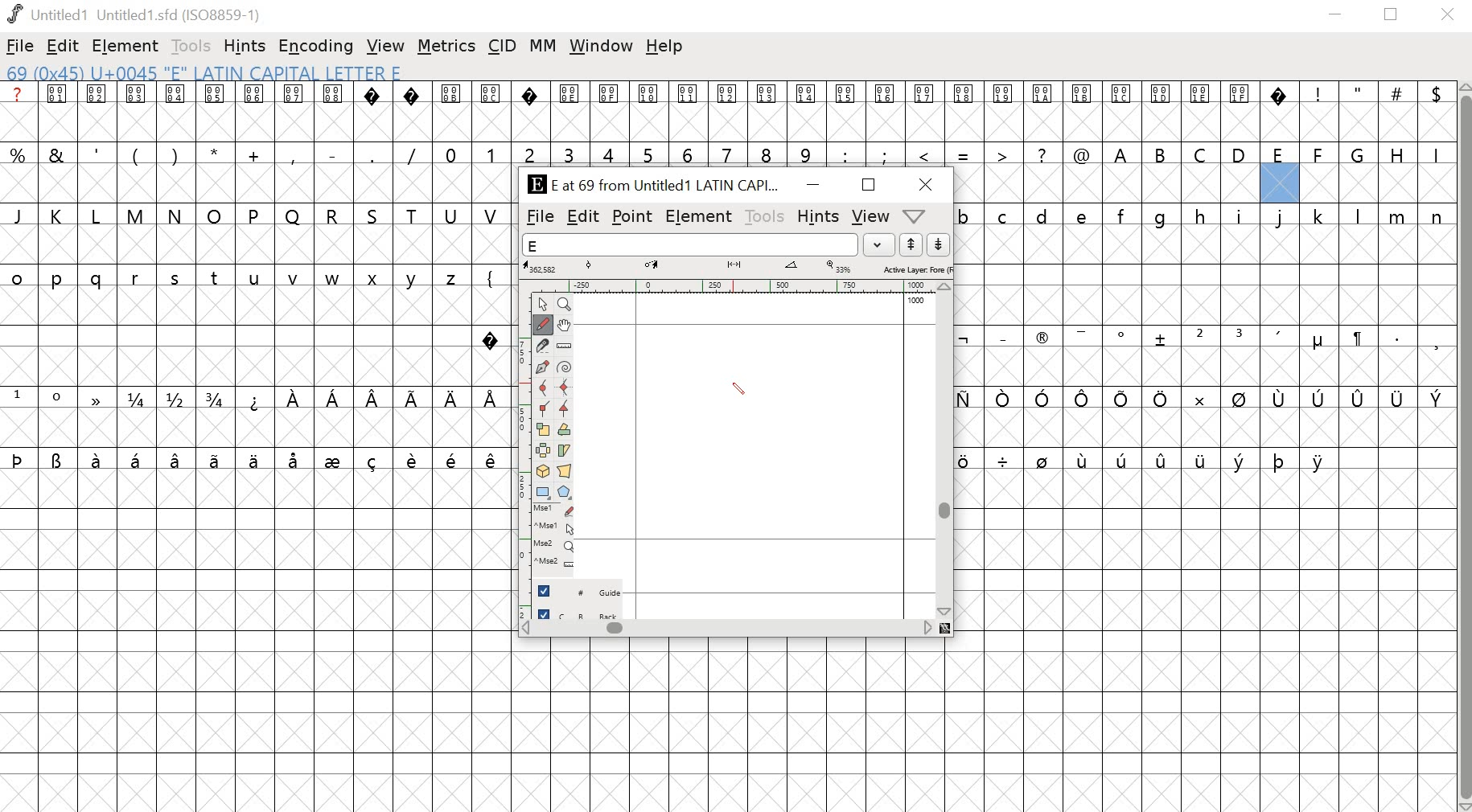  Describe the element at coordinates (566, 473) in the screenshot. I see `Perspective` at that location.